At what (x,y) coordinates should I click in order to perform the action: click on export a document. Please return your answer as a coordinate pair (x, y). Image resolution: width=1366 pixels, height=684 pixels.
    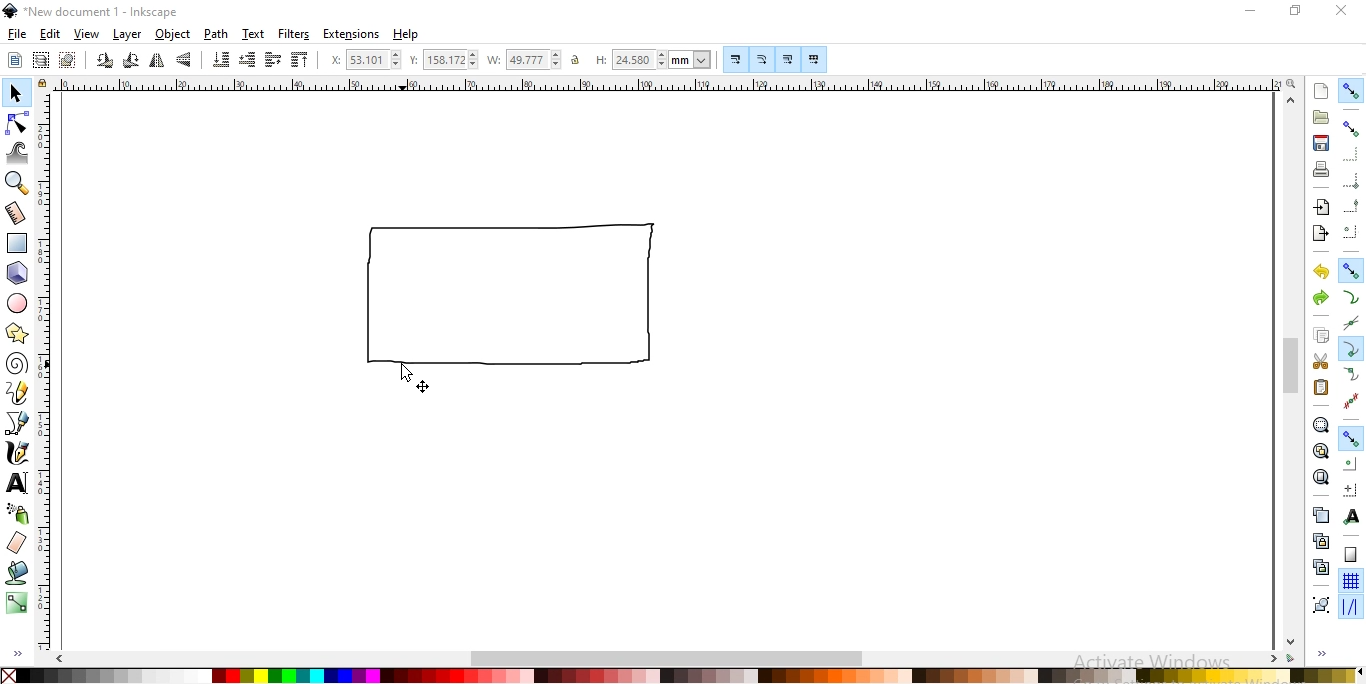
    Looking at the image, I should click on (1319, 234).